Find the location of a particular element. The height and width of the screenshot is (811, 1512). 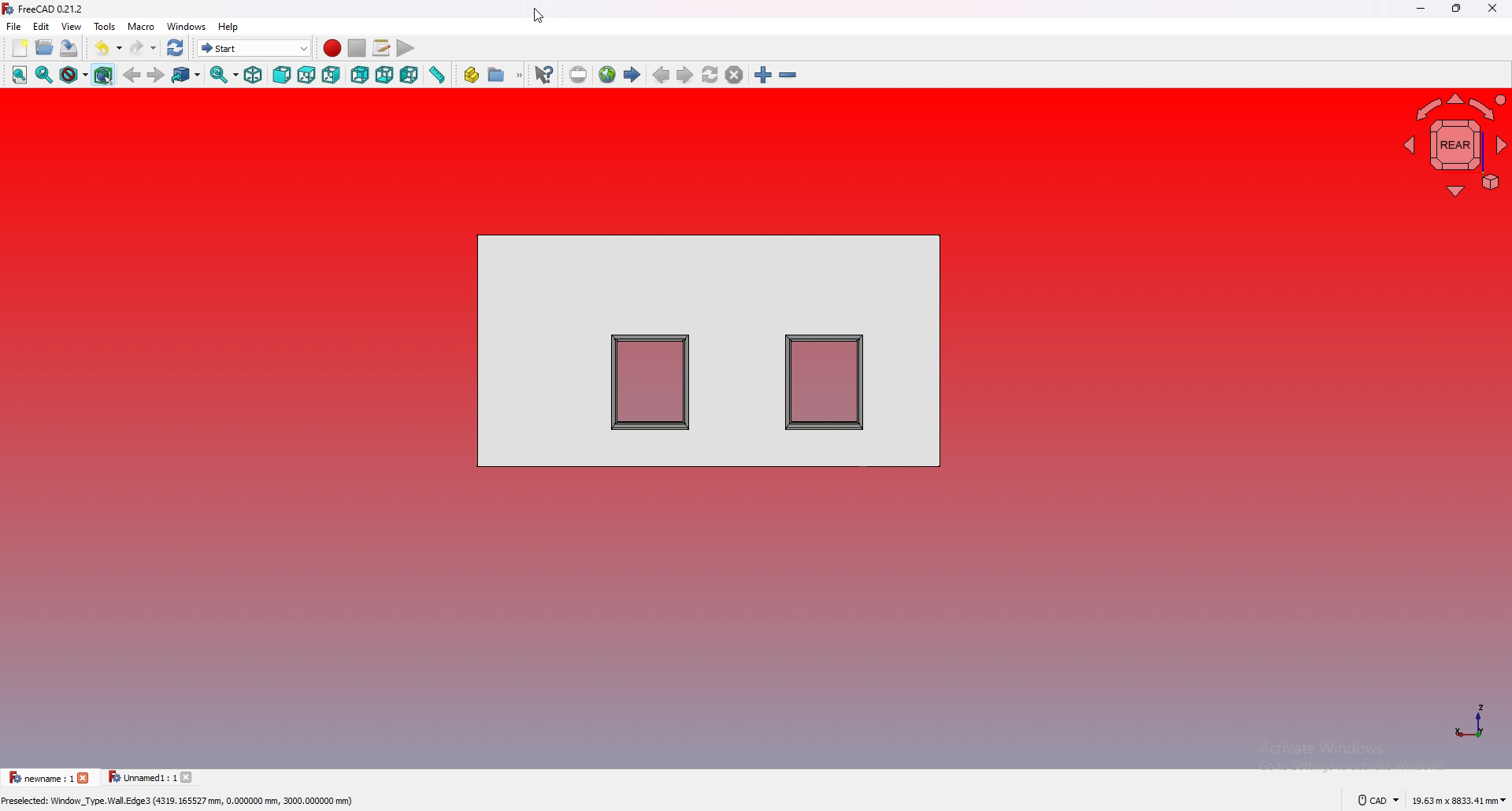

sync view is located at coordinates (224, 75).